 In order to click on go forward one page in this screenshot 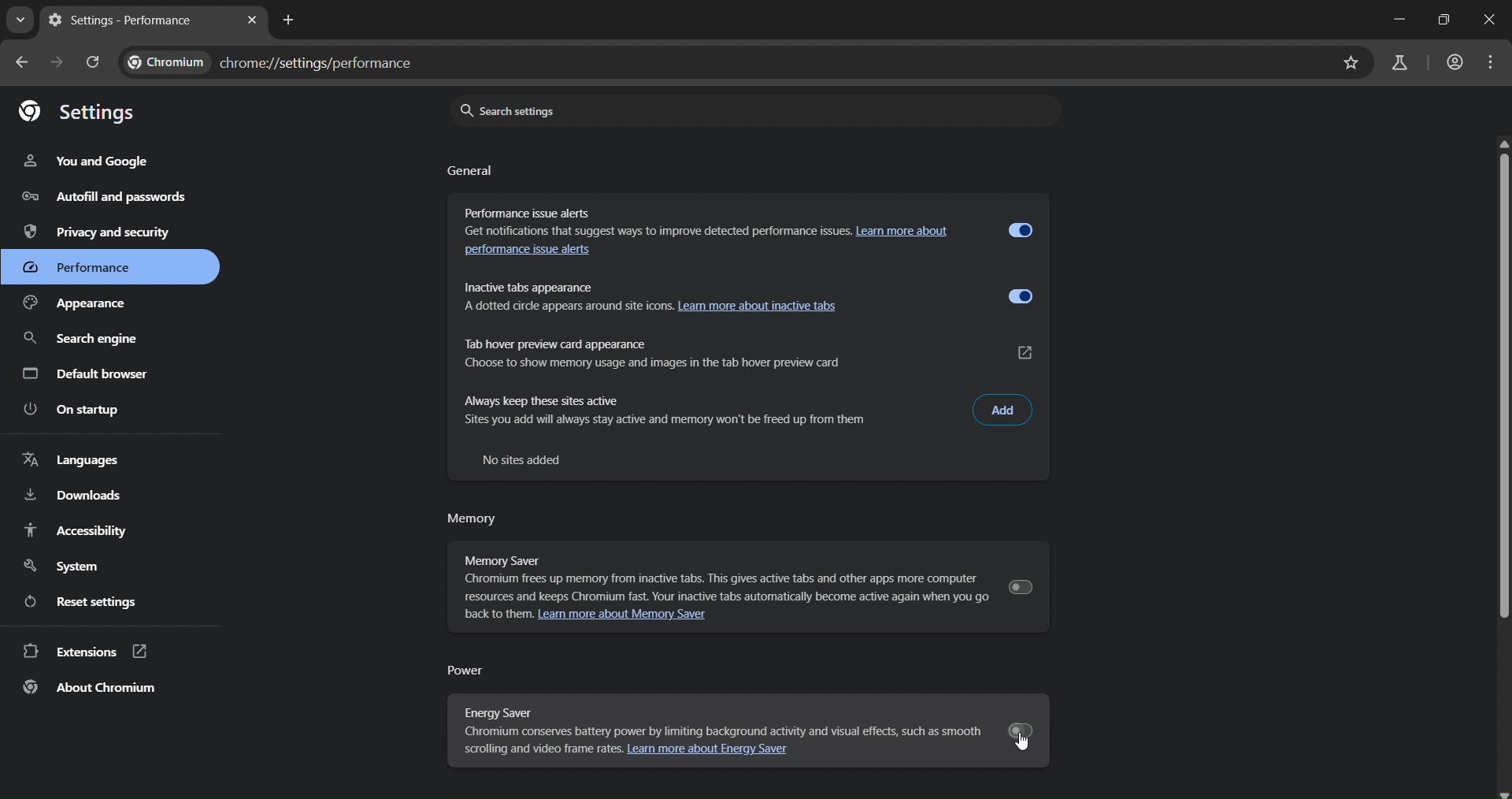, I will do `click(56, 62)`.